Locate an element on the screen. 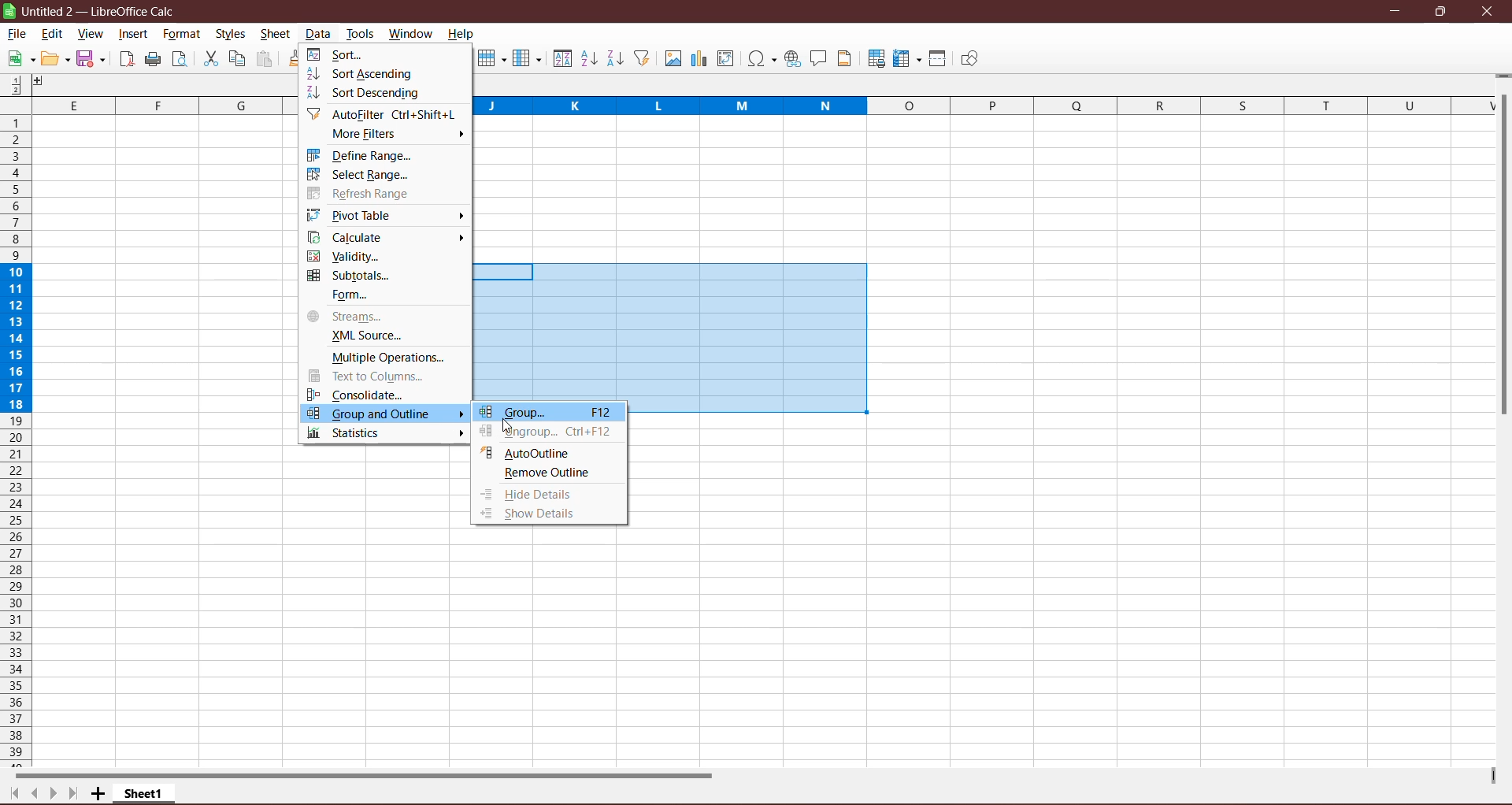  Text to Columns is located at coordinates (376, 376).